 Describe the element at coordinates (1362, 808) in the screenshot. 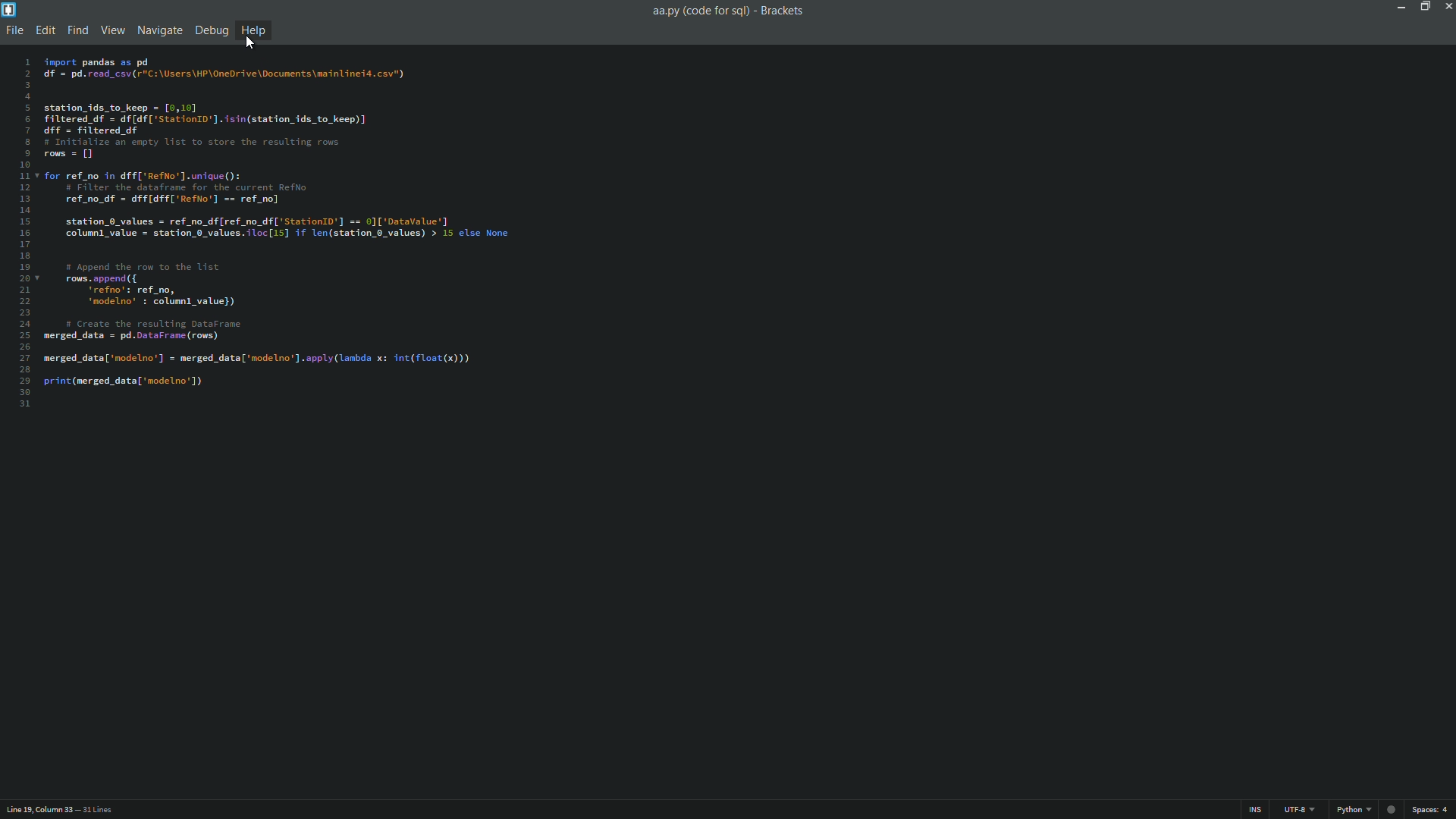

I see `file format - Python` at that location.